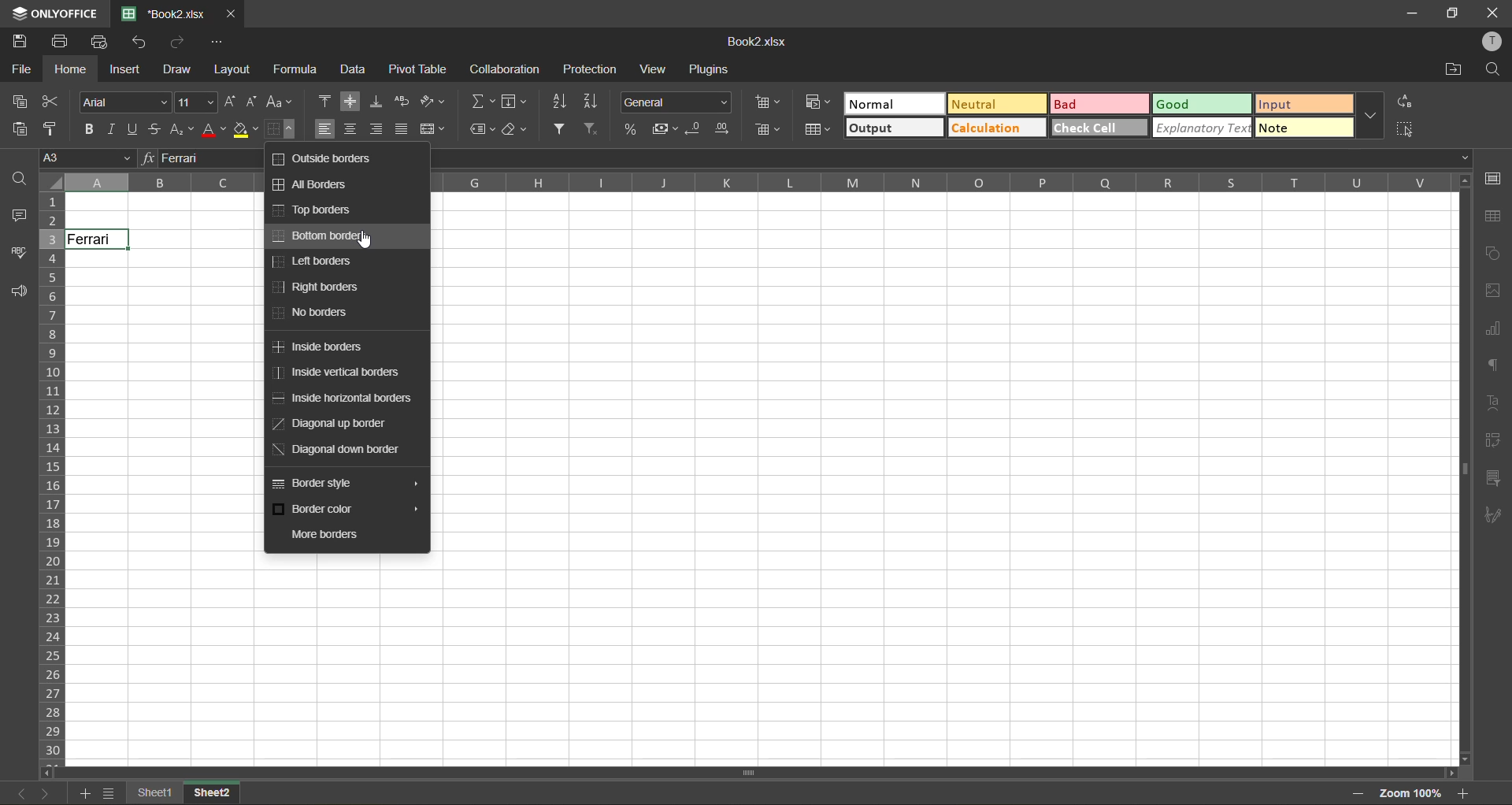  Describe the element at coordinates (706, 72) in the screenshot. I see `plugins` at that location.